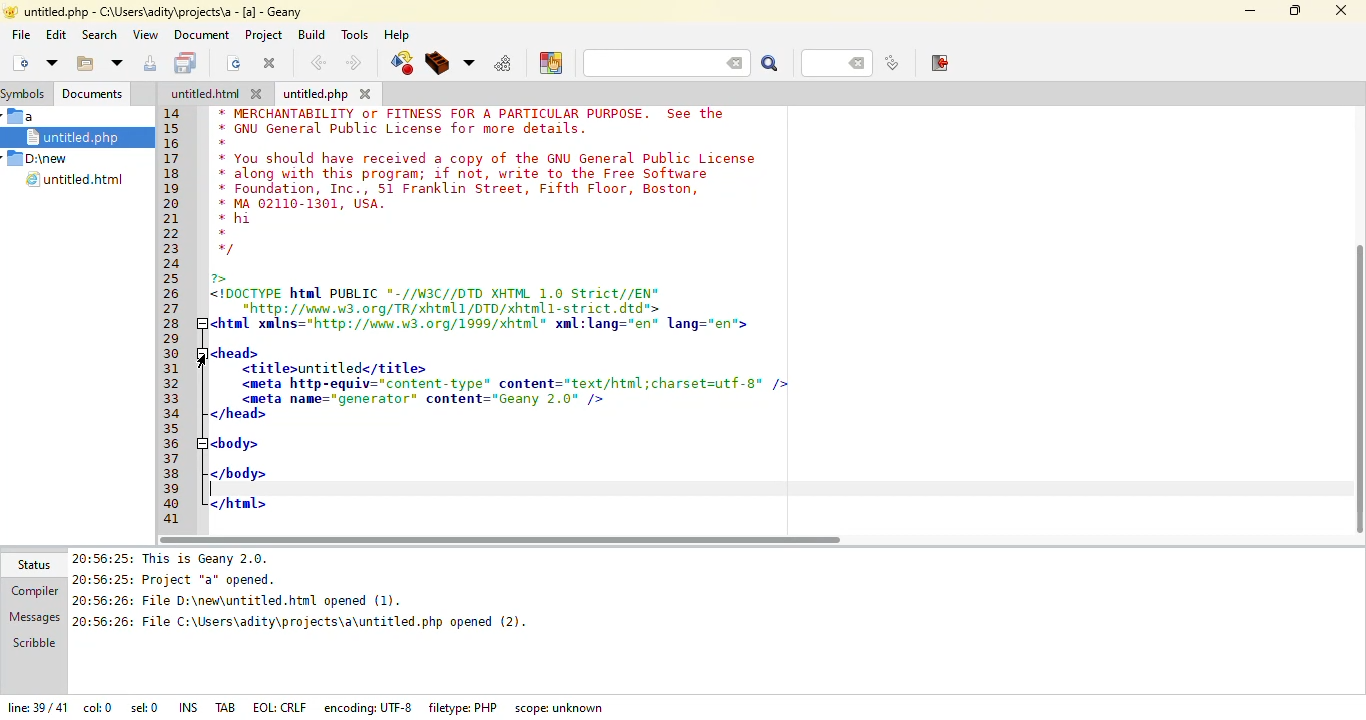 Image resolution: width=1366 pixels, height=720 pixels. I want to click on documents, so click(93, 93).